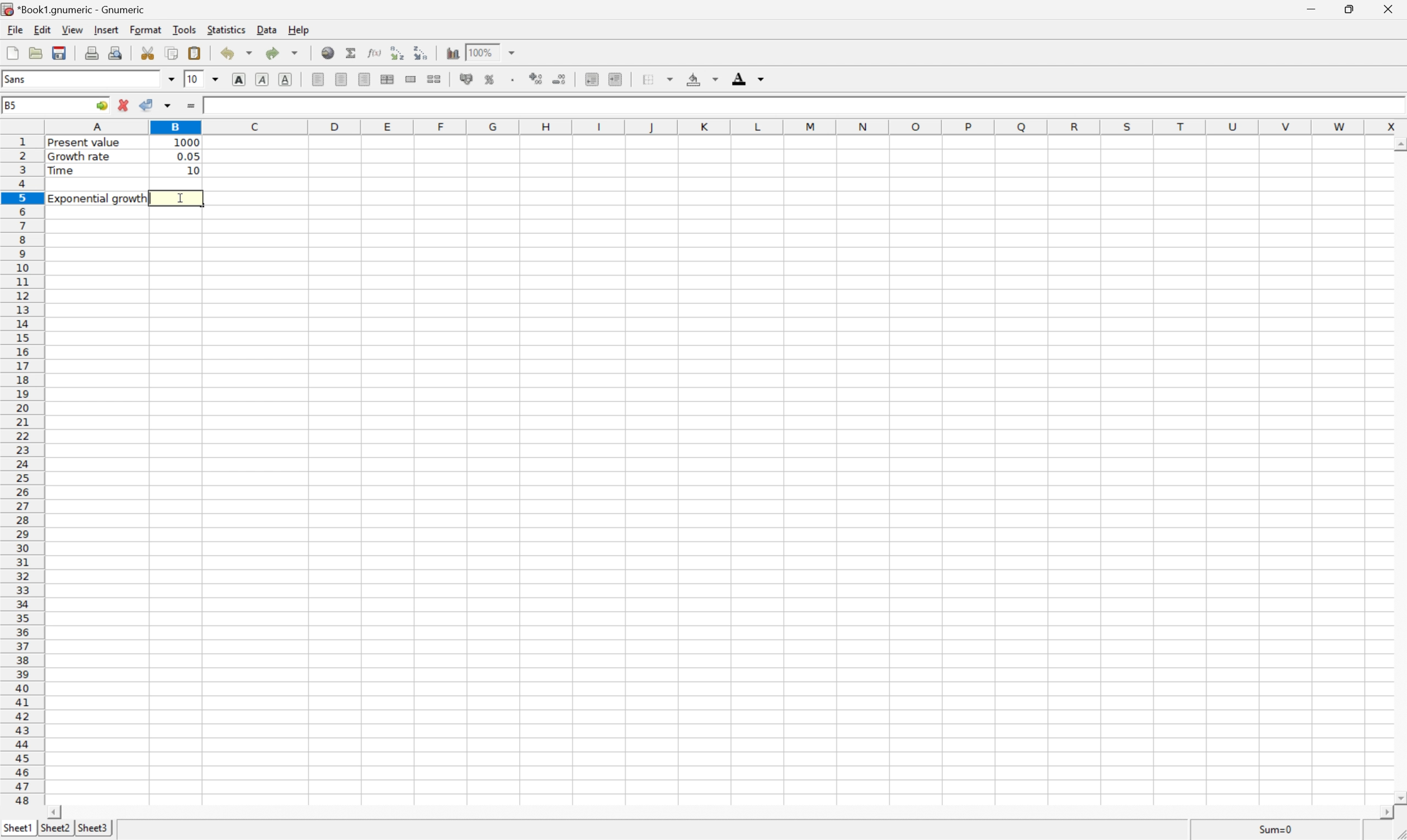  What do you see at coordinates (81, 156) in the screenshot?
I see `Growth rate` at bounding box center [81, 156].